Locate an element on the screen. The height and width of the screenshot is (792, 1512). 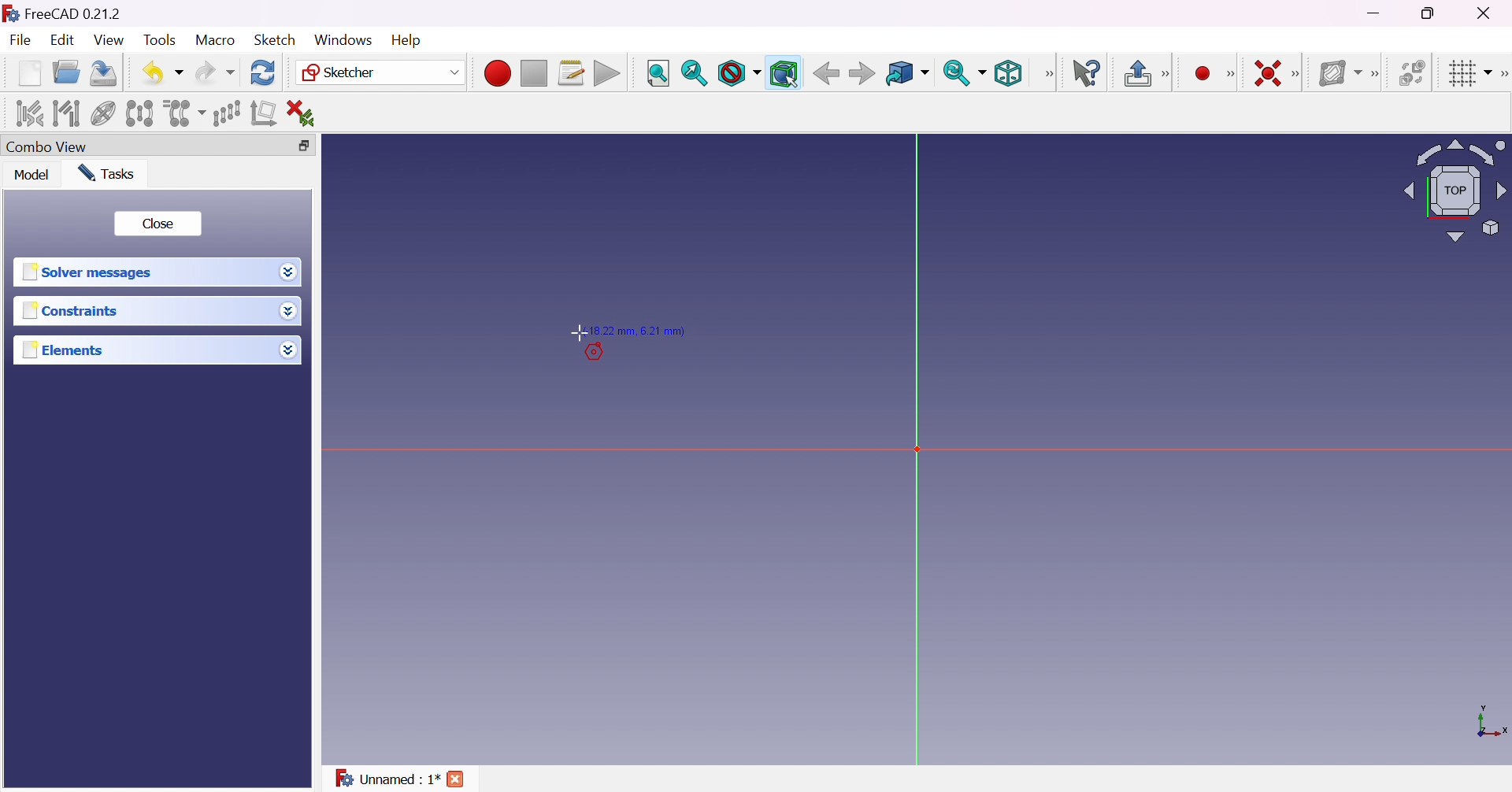
Macro recording... is located at coordinates (497, 73).